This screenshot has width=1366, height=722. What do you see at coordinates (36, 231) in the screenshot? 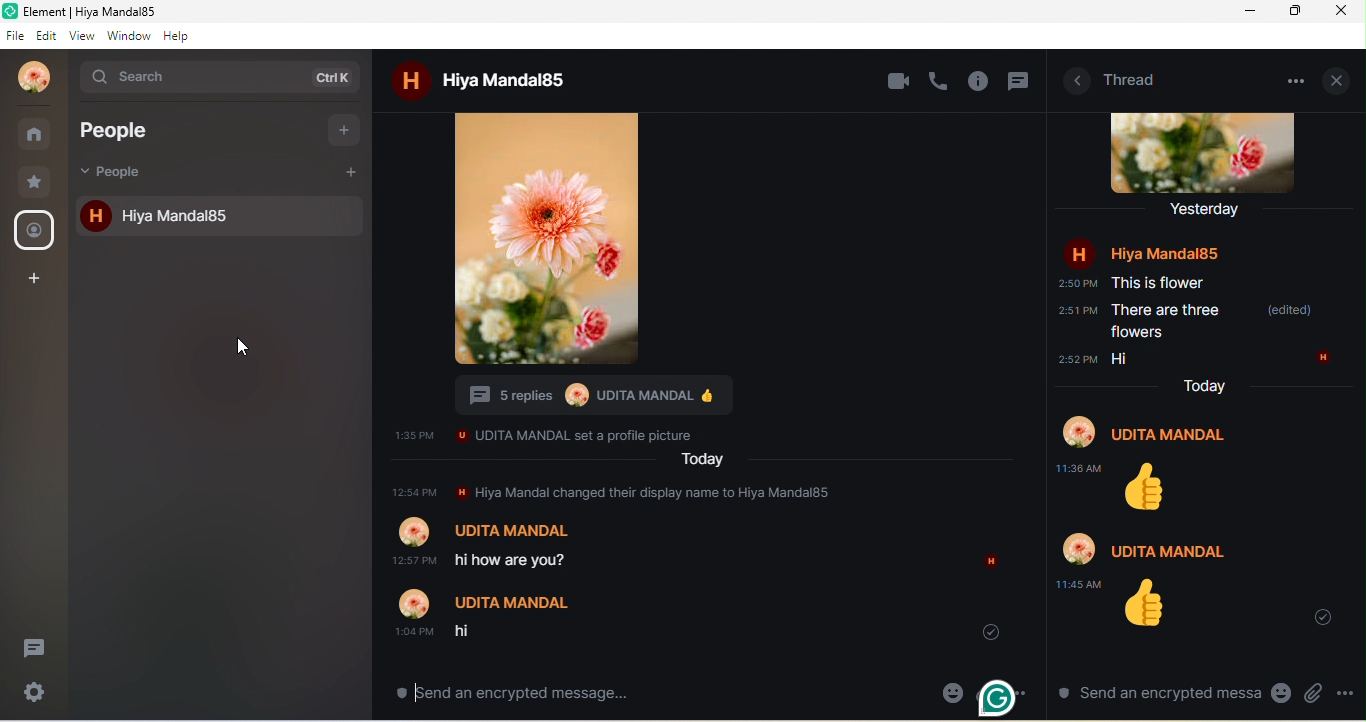
I see `people` at bounding box center [36, 231].